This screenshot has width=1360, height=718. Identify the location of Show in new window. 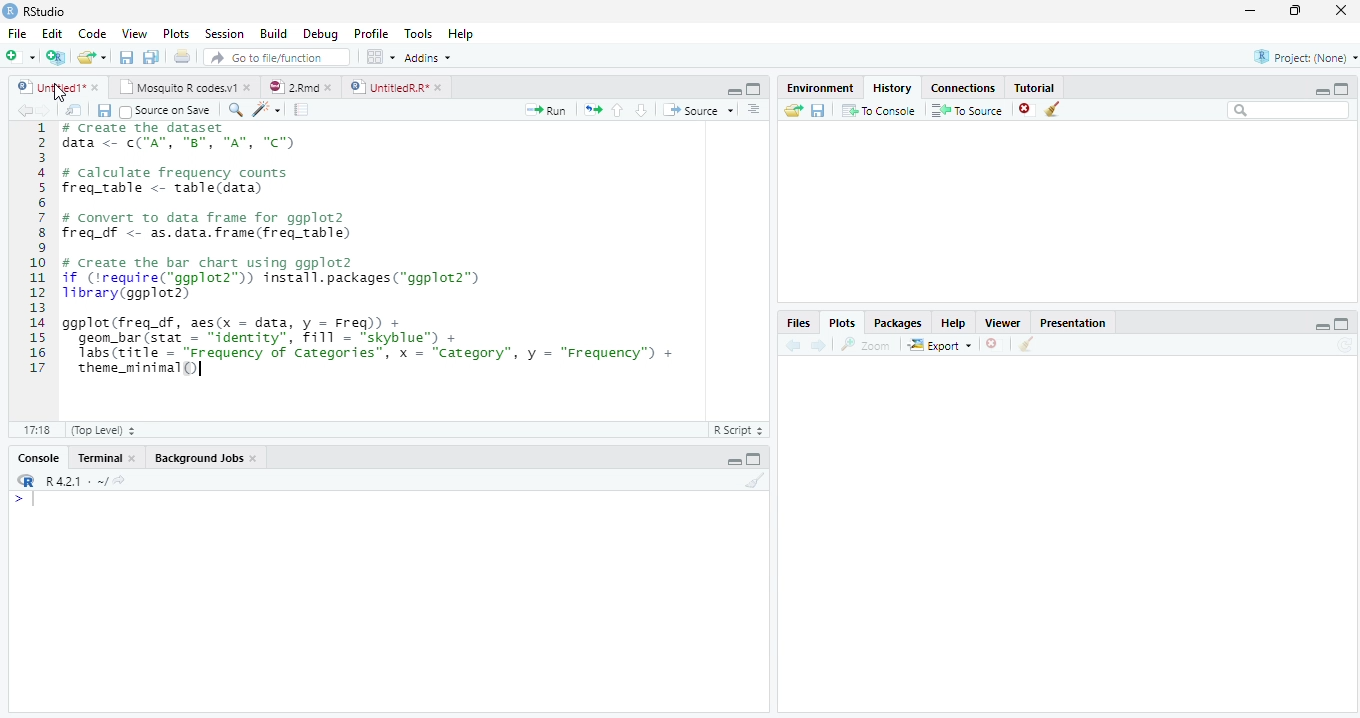
(74, 110).